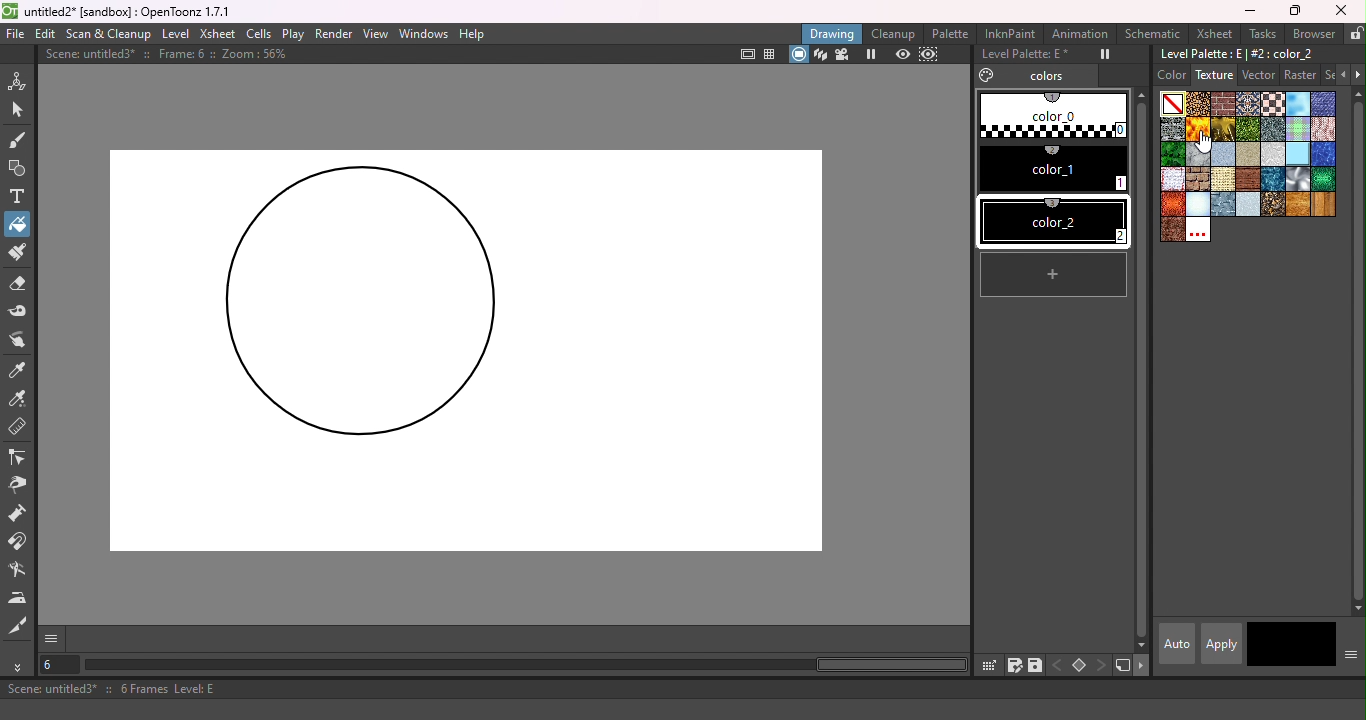  I want to click on Tasks, so click(1260, 34).